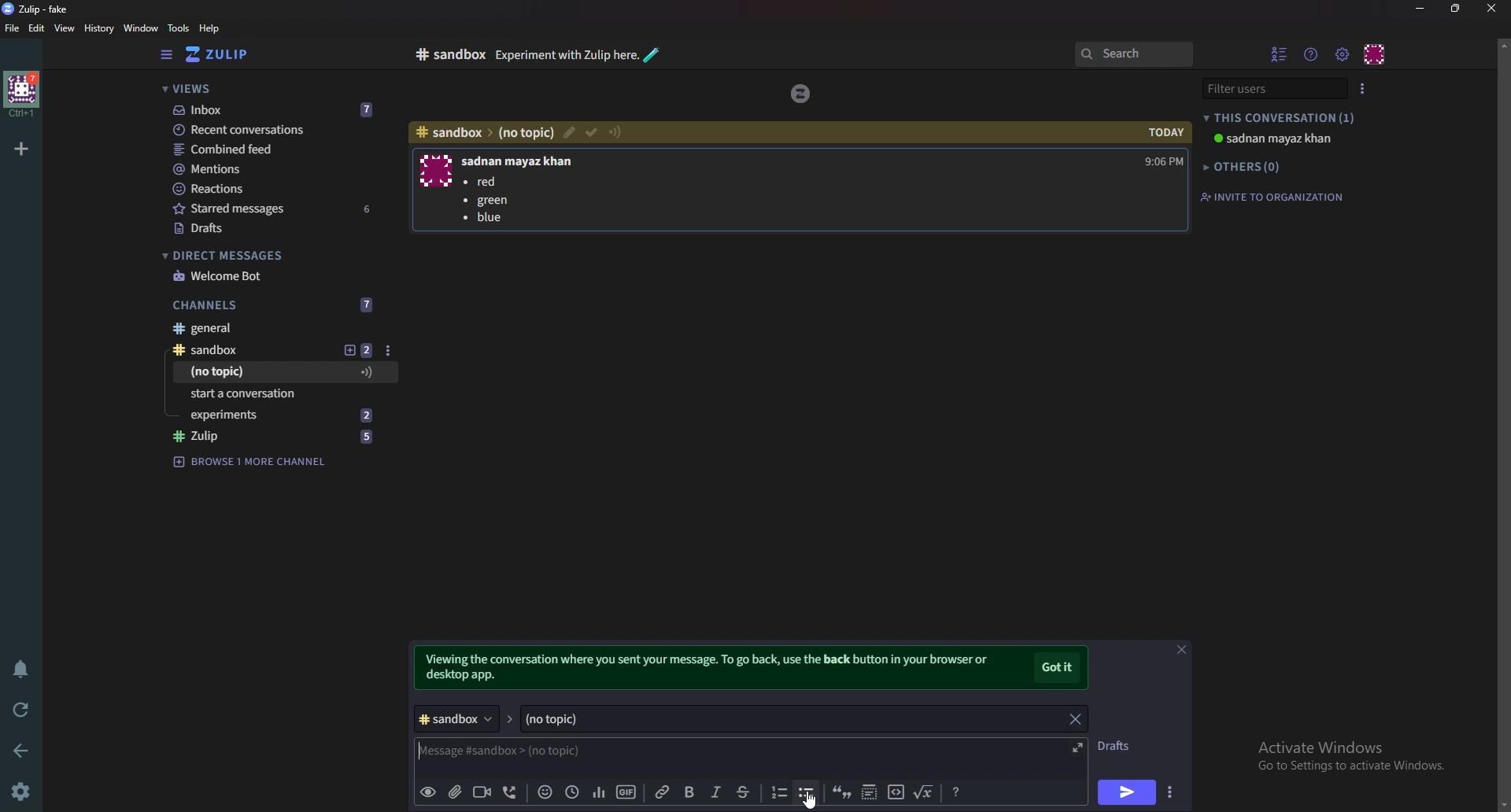  Describe the element at coordinates (1163, 146) in the screenshot. I see `time` at that location.